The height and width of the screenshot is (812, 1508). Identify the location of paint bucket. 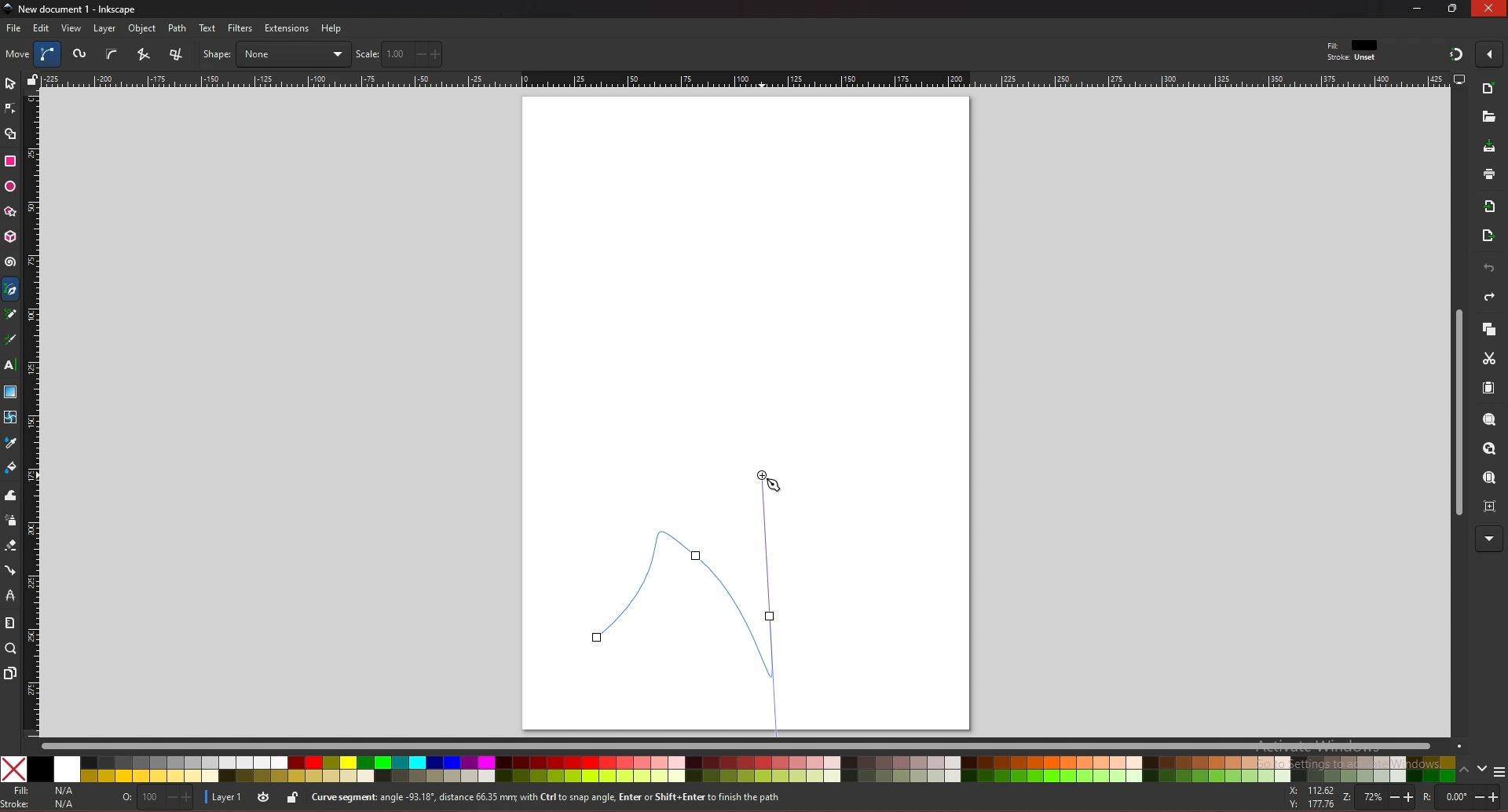
(11, 466).